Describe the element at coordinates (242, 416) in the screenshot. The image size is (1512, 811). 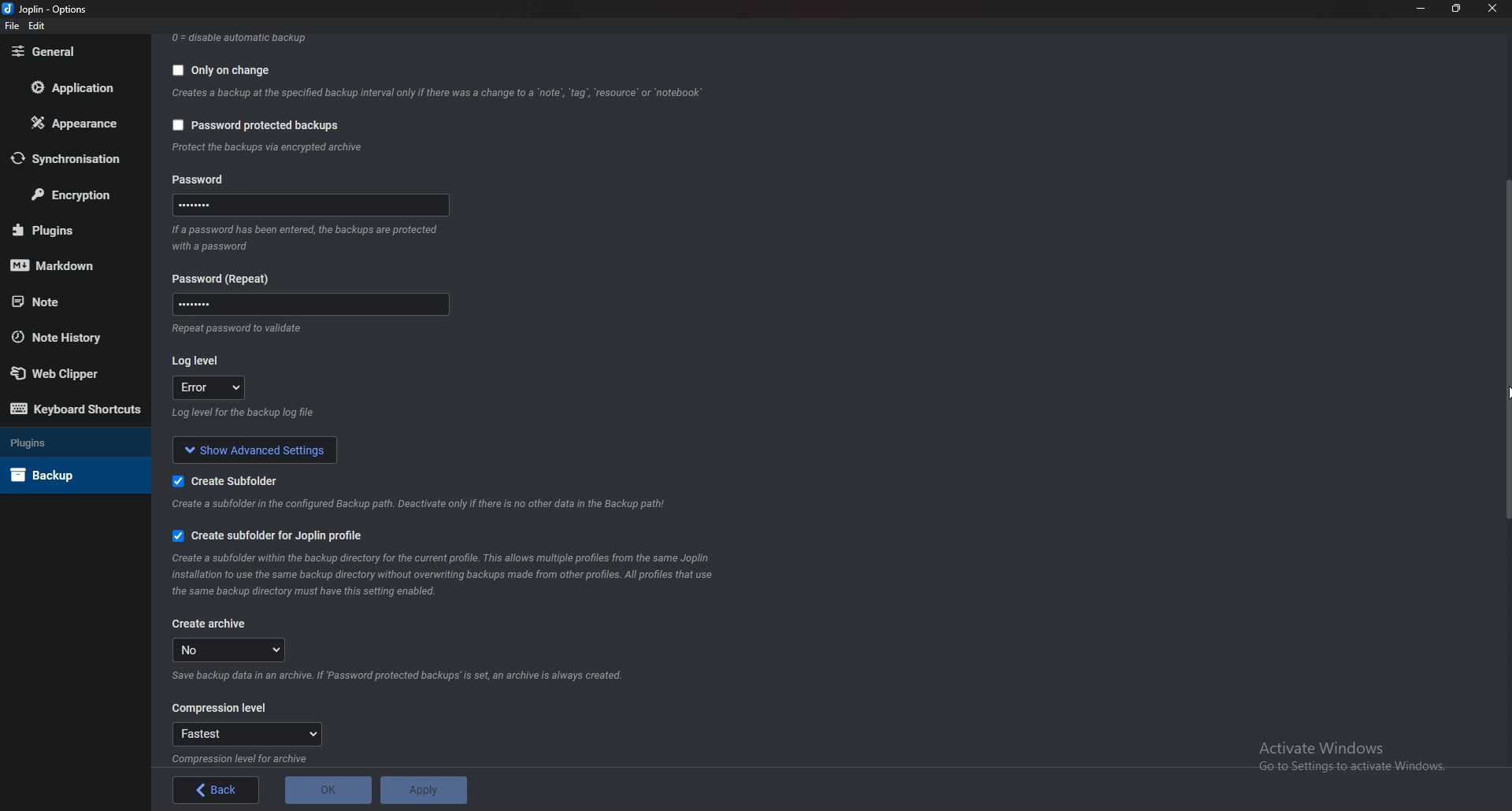
I see `Info on log level` at that location.